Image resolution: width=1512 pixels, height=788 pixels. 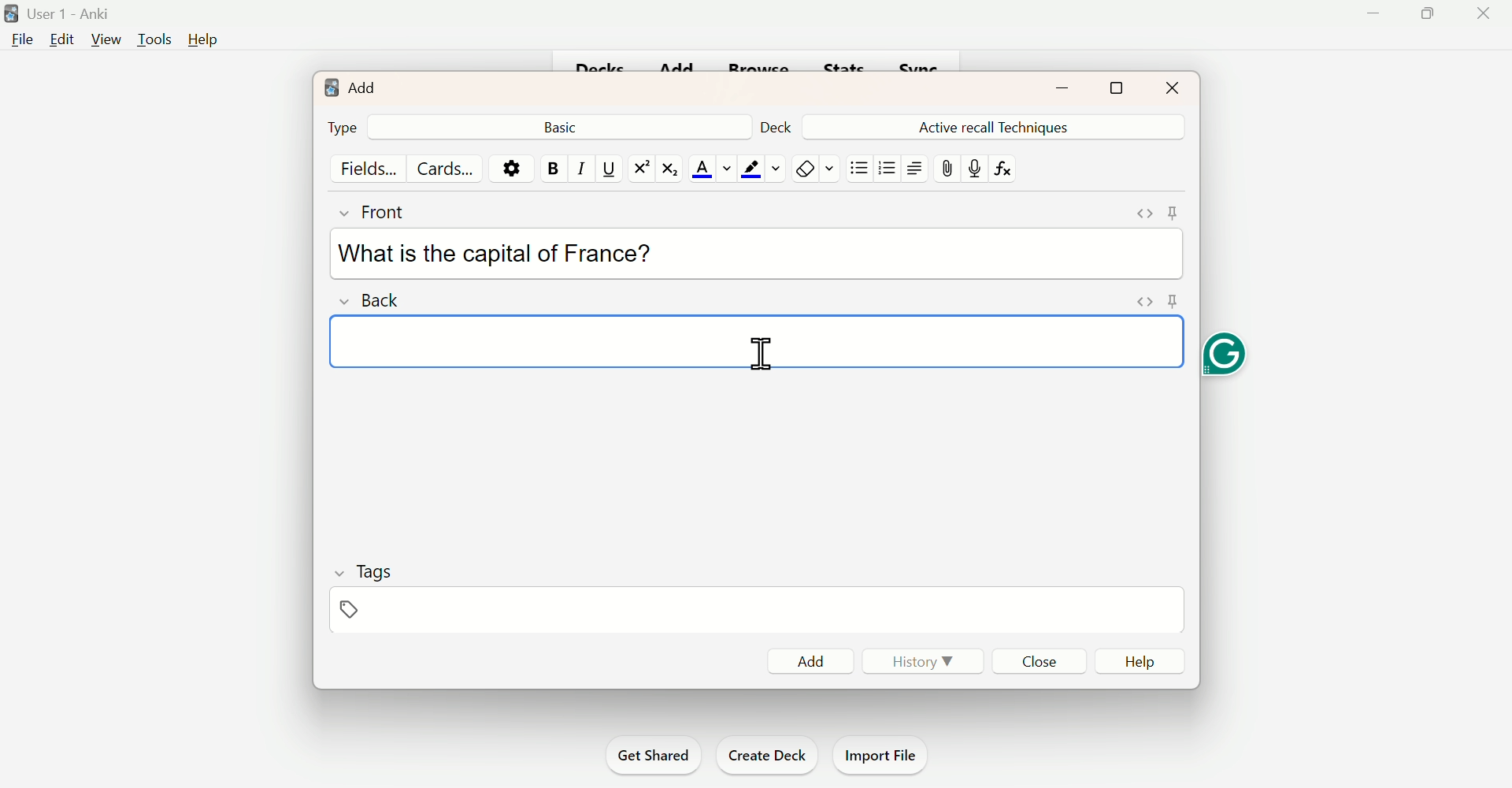 What do you see at coordinates (1482, 13) in the screenshot?
I see `Close` at bounding box center [1482, 13].